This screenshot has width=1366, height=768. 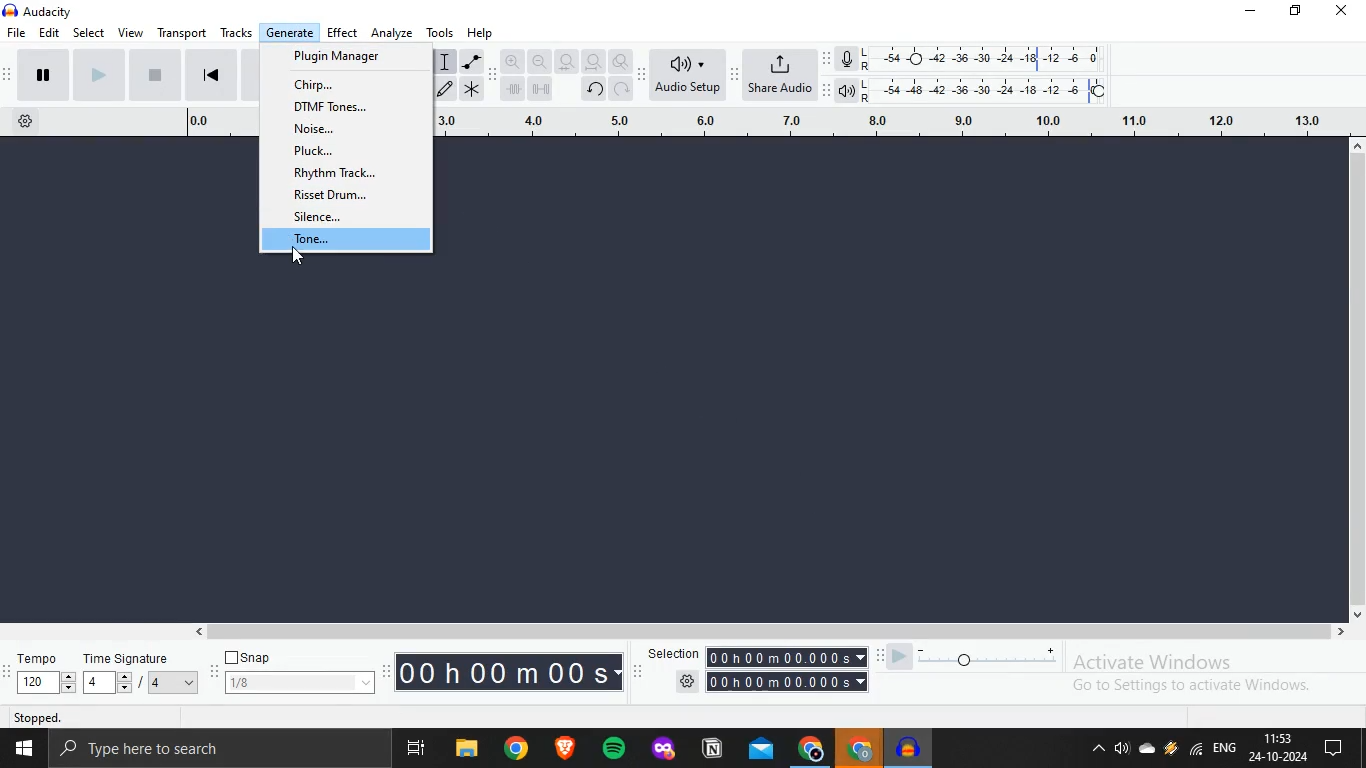 What do you see at coordinates (473, 61) in the screenshot?
I see `Italic` at bounding box center [473, 61].